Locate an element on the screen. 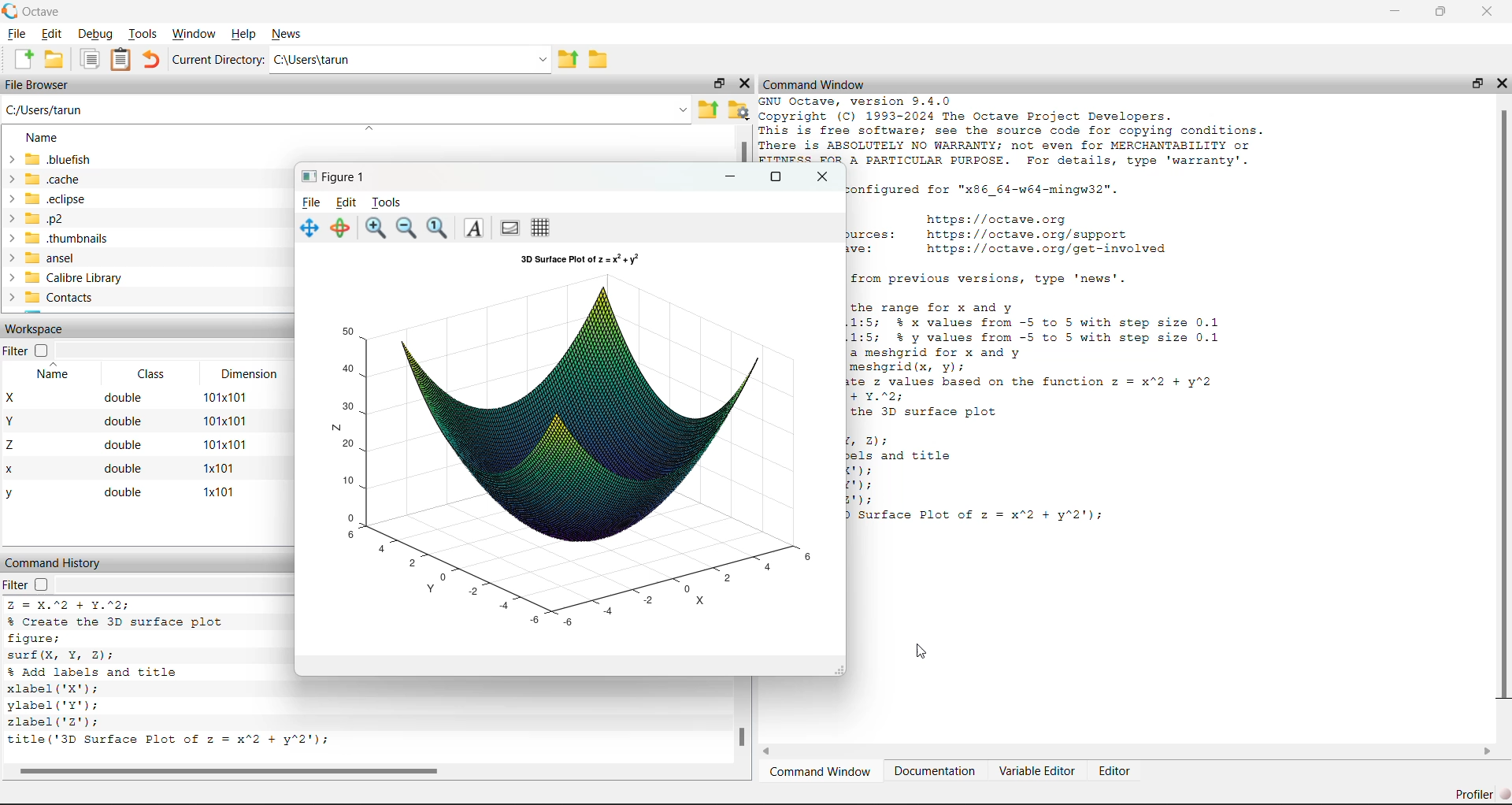 Image resolution: width=1512 pixels, height=805 pixels. Dimension is located at coordinates (248, 374).